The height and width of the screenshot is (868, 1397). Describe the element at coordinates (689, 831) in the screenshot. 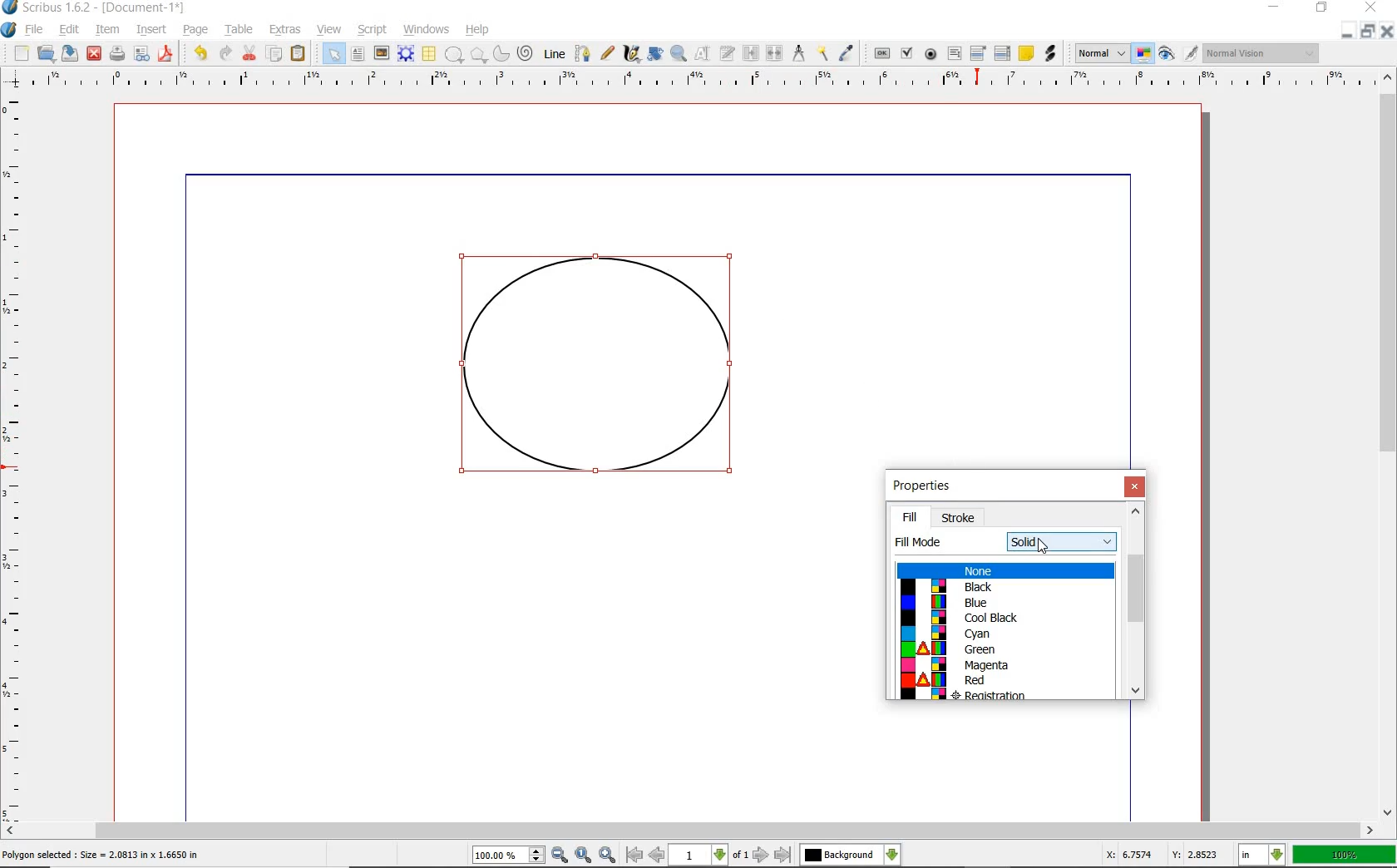

I see `SCROLLBAR` at that location.